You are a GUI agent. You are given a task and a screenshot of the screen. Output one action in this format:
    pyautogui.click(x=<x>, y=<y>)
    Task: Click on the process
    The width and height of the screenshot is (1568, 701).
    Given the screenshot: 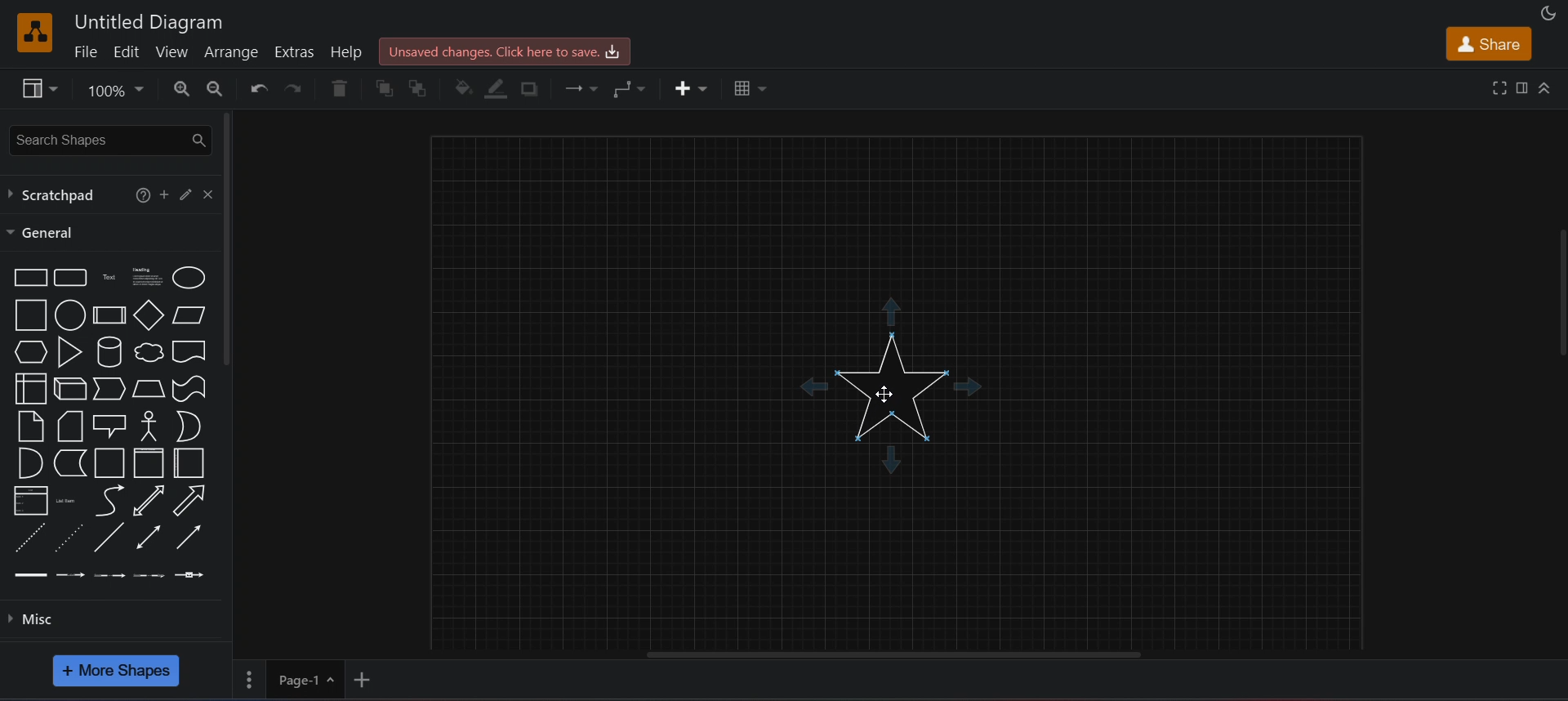 What is the action you would take?
    pyautogui.click(x=109, y=315)
    